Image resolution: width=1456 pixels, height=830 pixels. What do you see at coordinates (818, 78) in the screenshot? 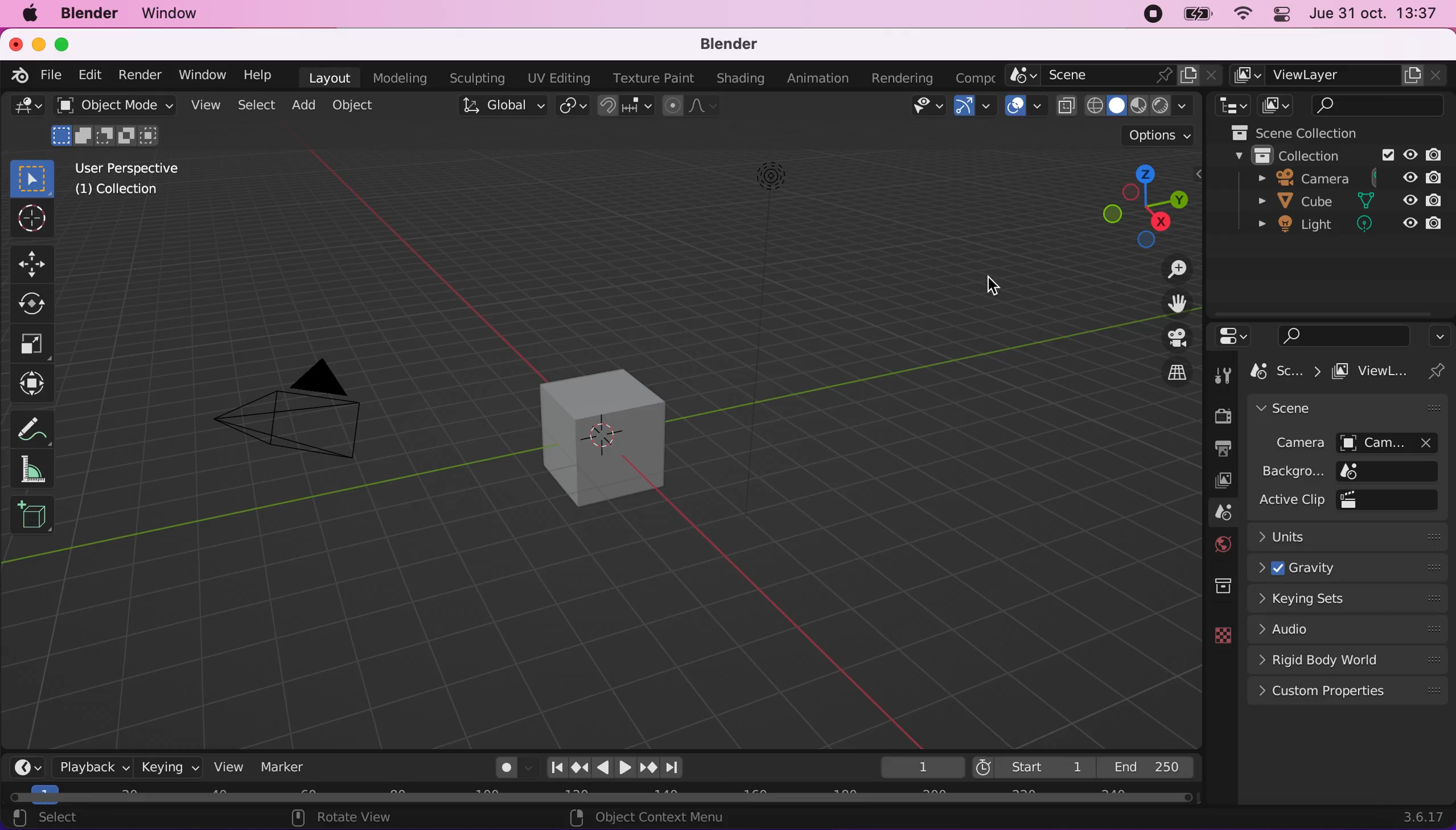
I see `animation` at bounding box center [818, 78].